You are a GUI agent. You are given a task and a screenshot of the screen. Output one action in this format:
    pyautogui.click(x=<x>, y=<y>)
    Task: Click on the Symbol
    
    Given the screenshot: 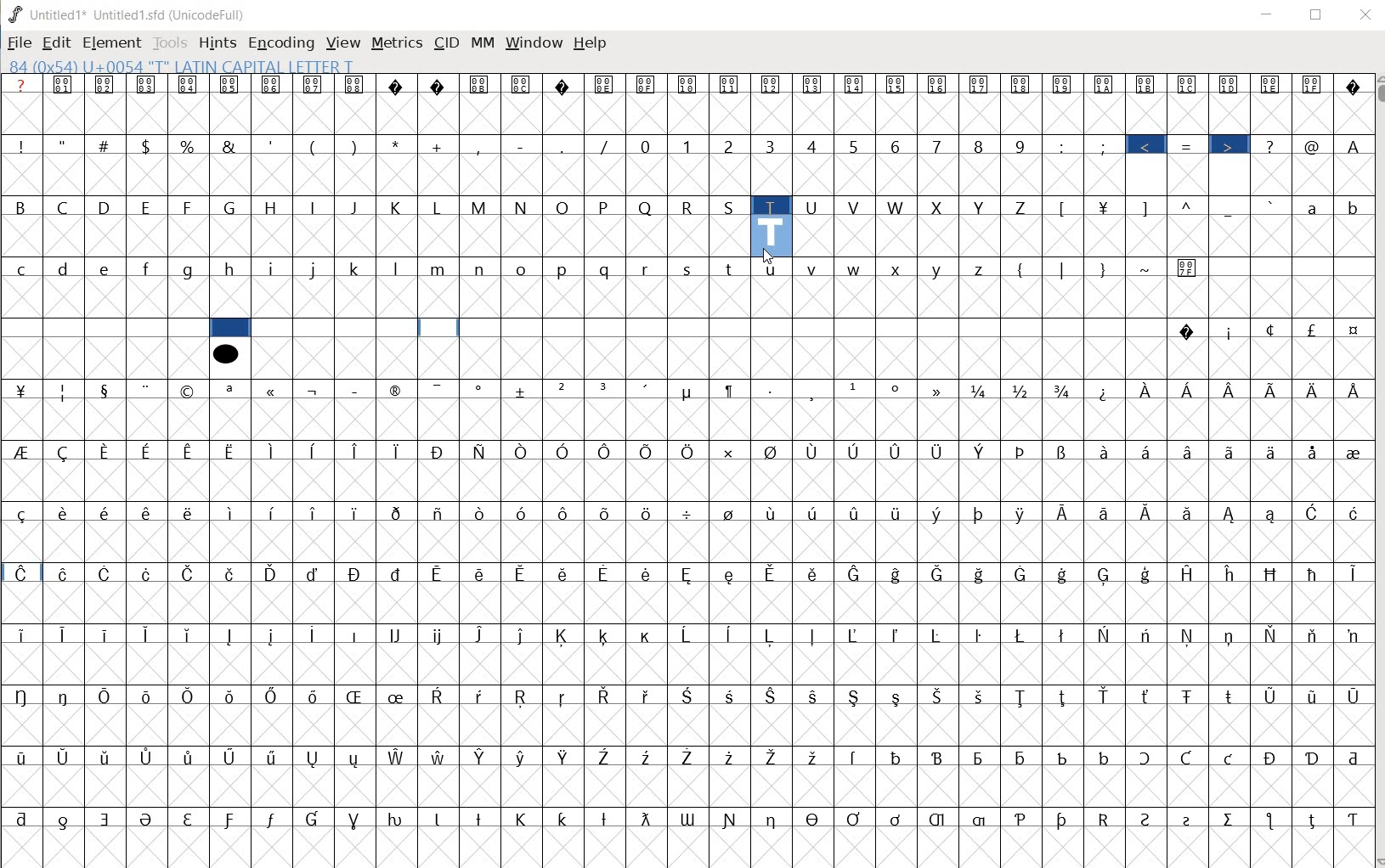 What is the action you would take?
    pyautogui.click(x=1020, y=634)
    